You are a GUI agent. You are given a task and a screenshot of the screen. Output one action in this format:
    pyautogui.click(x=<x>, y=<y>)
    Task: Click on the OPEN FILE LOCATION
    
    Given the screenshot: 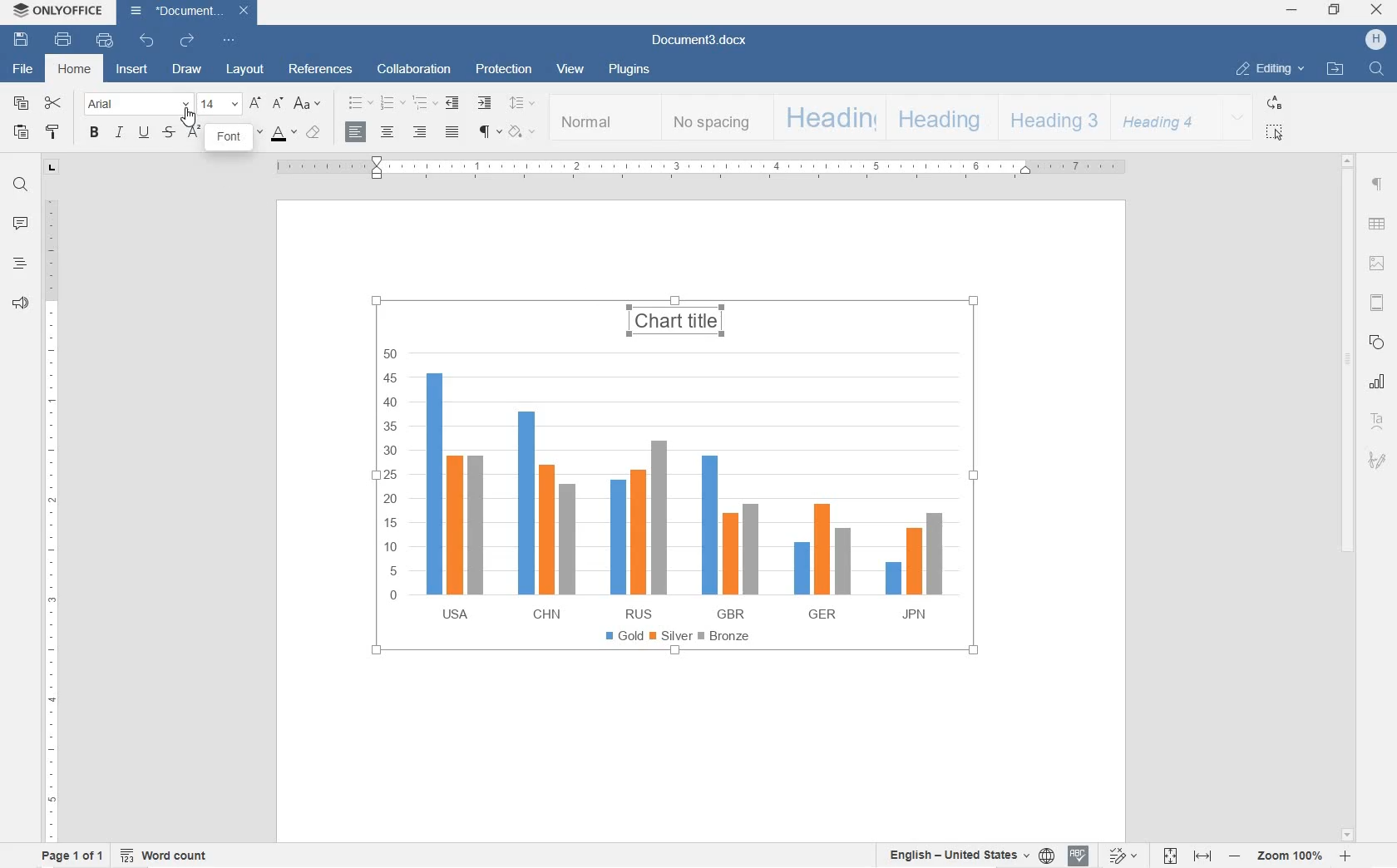 What is the action you would take?
    pyautogui.click(x=1336, y=68)
    